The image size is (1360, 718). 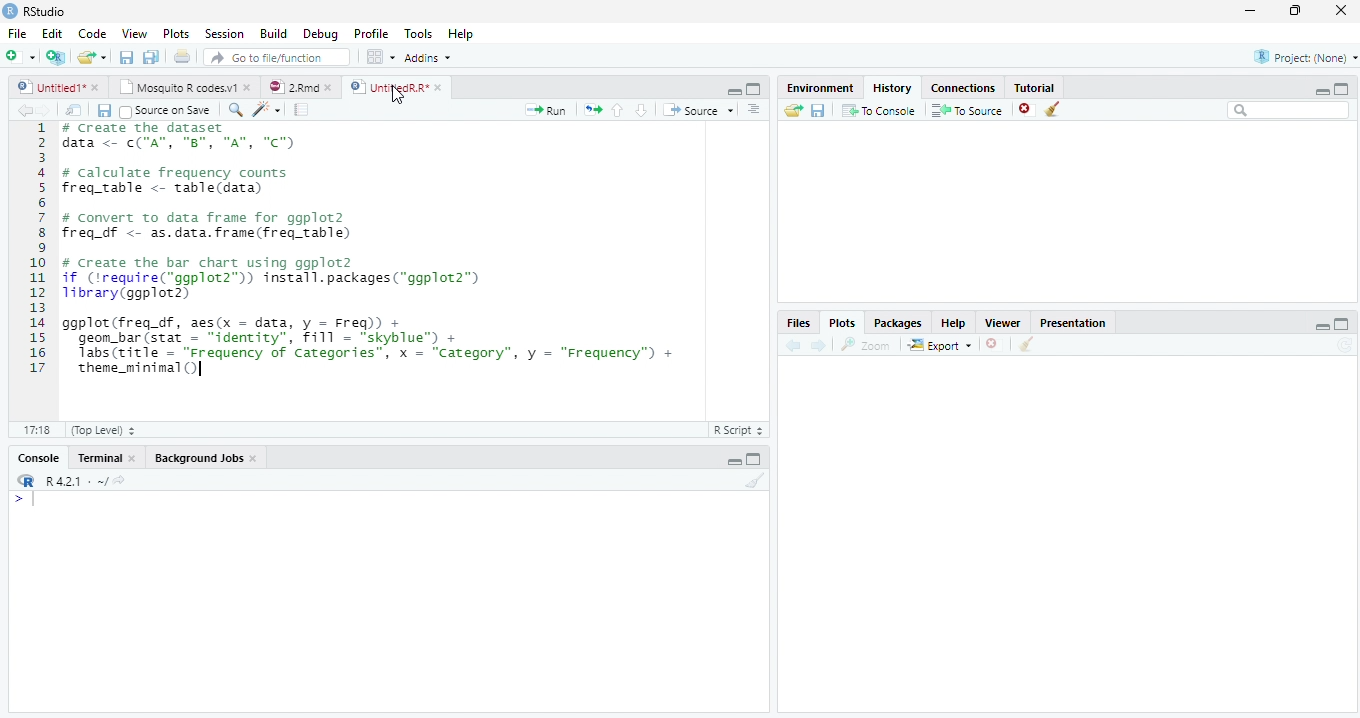 I want to click on Minimize, so click(x=734, y=461).